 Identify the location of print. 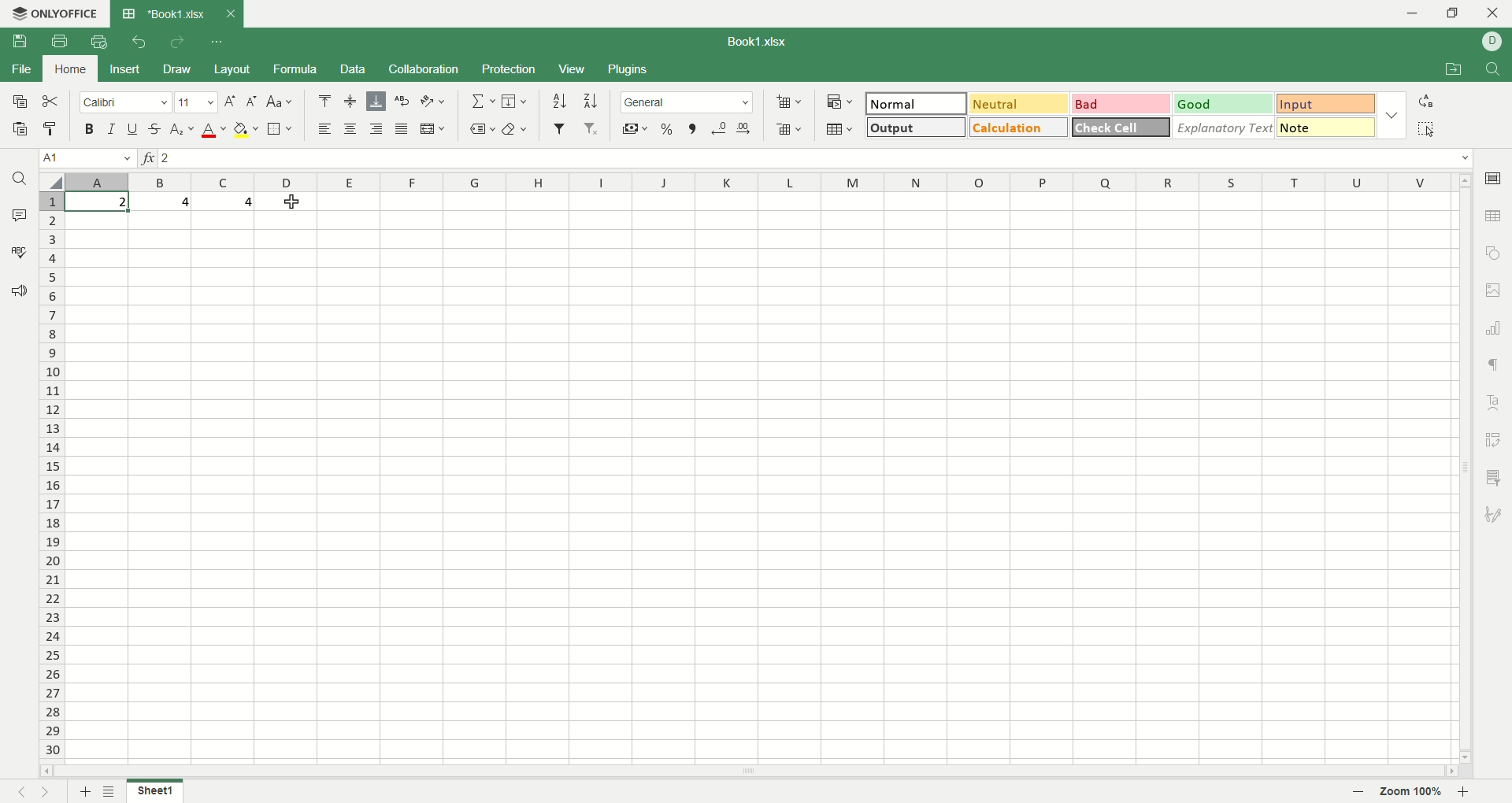
(61, 41).